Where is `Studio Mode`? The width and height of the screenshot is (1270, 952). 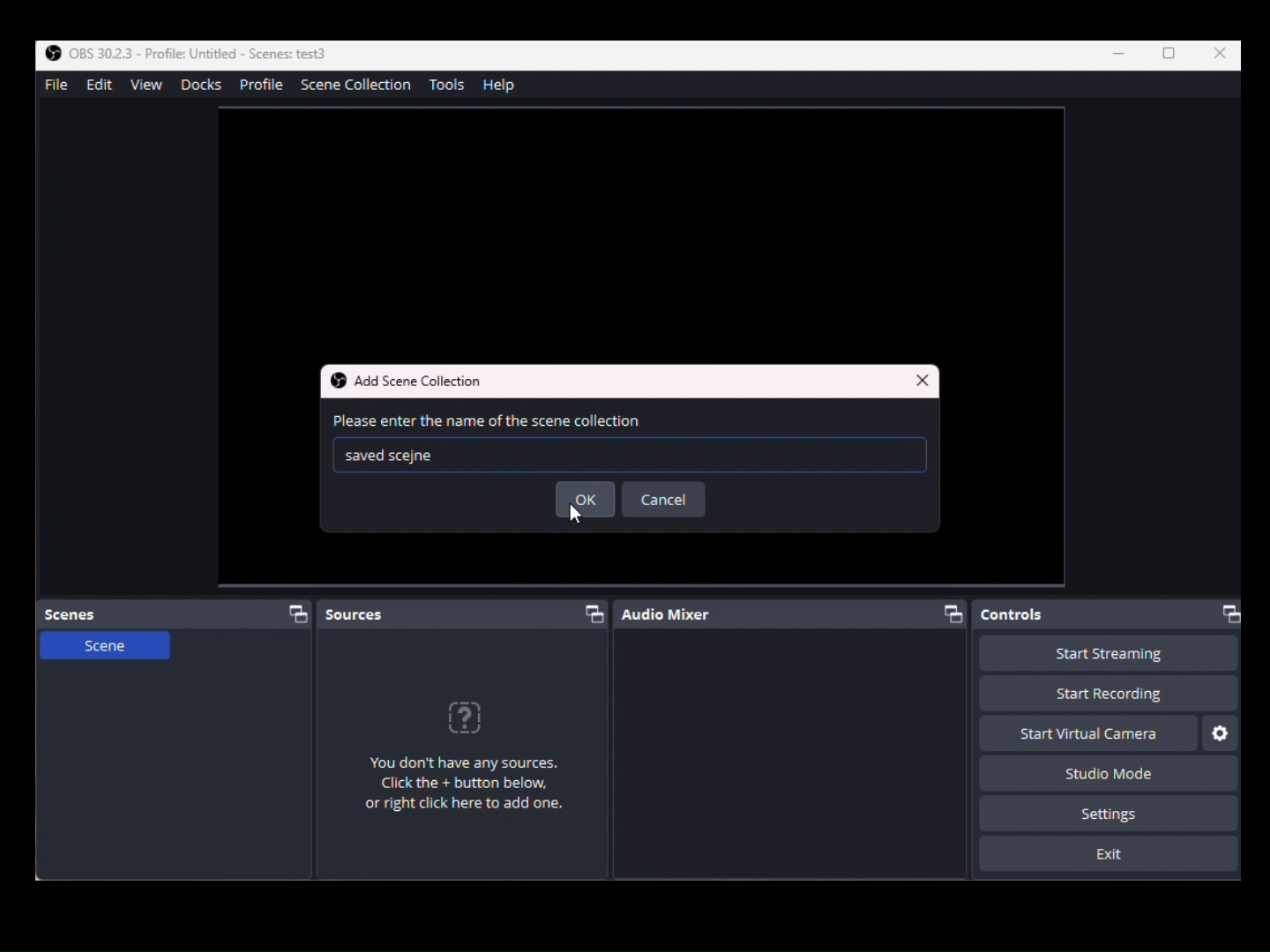 Studio Mode is located at coordinates (1102, 772).